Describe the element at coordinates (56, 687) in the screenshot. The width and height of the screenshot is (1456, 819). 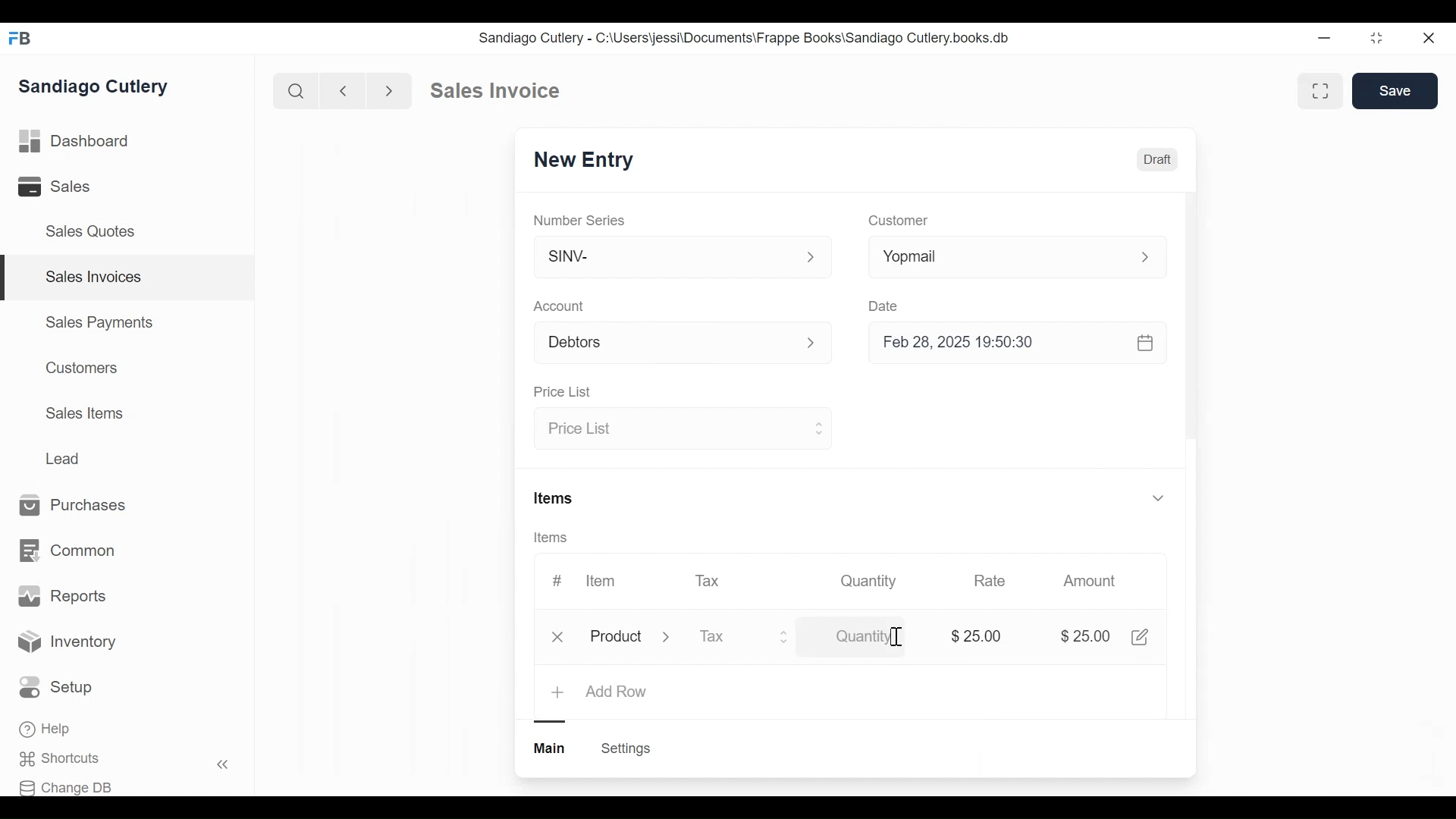
I see `Setup` at that location.